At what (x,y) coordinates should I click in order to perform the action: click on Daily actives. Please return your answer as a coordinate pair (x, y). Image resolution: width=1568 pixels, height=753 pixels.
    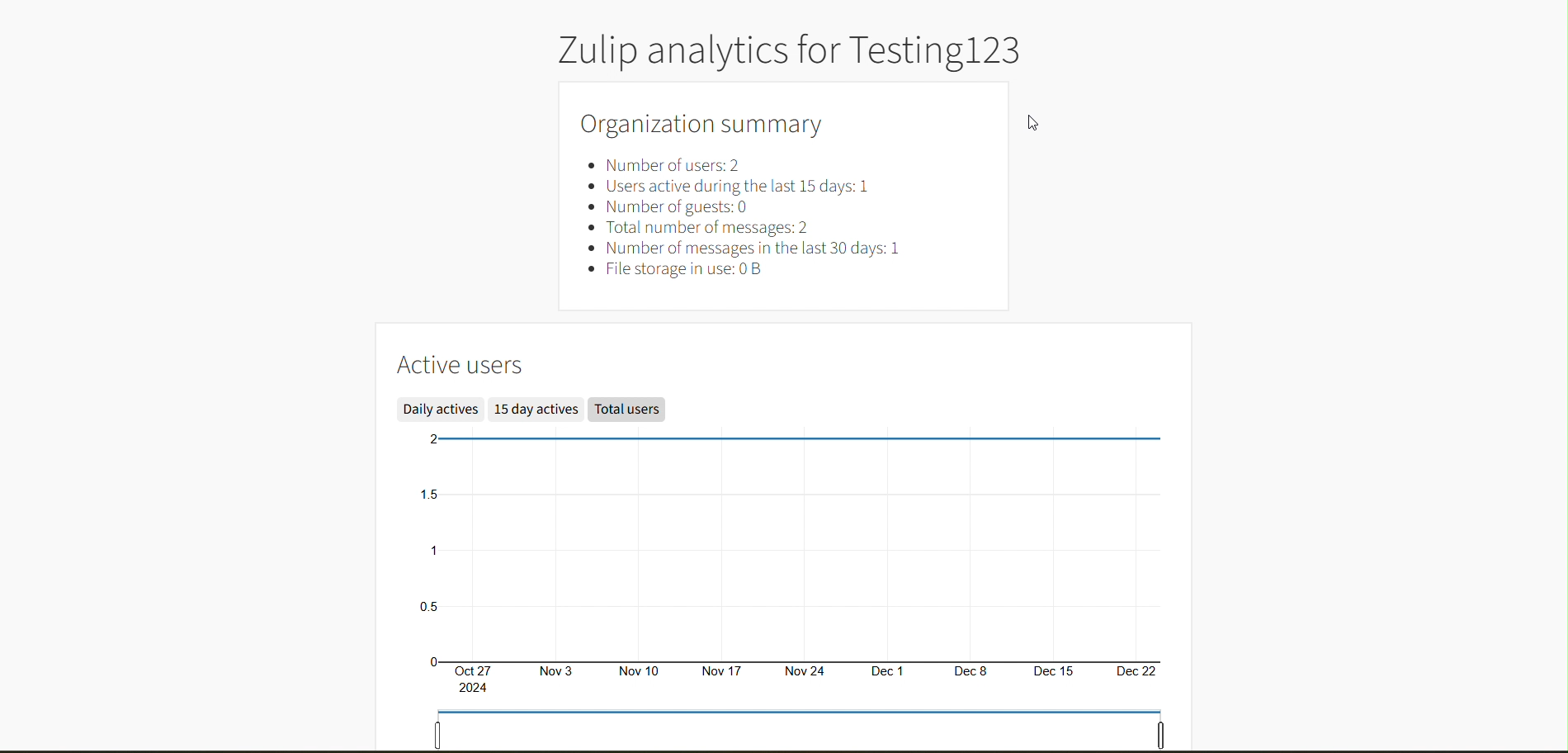
    Looking at the image, I should click on (438, 409).